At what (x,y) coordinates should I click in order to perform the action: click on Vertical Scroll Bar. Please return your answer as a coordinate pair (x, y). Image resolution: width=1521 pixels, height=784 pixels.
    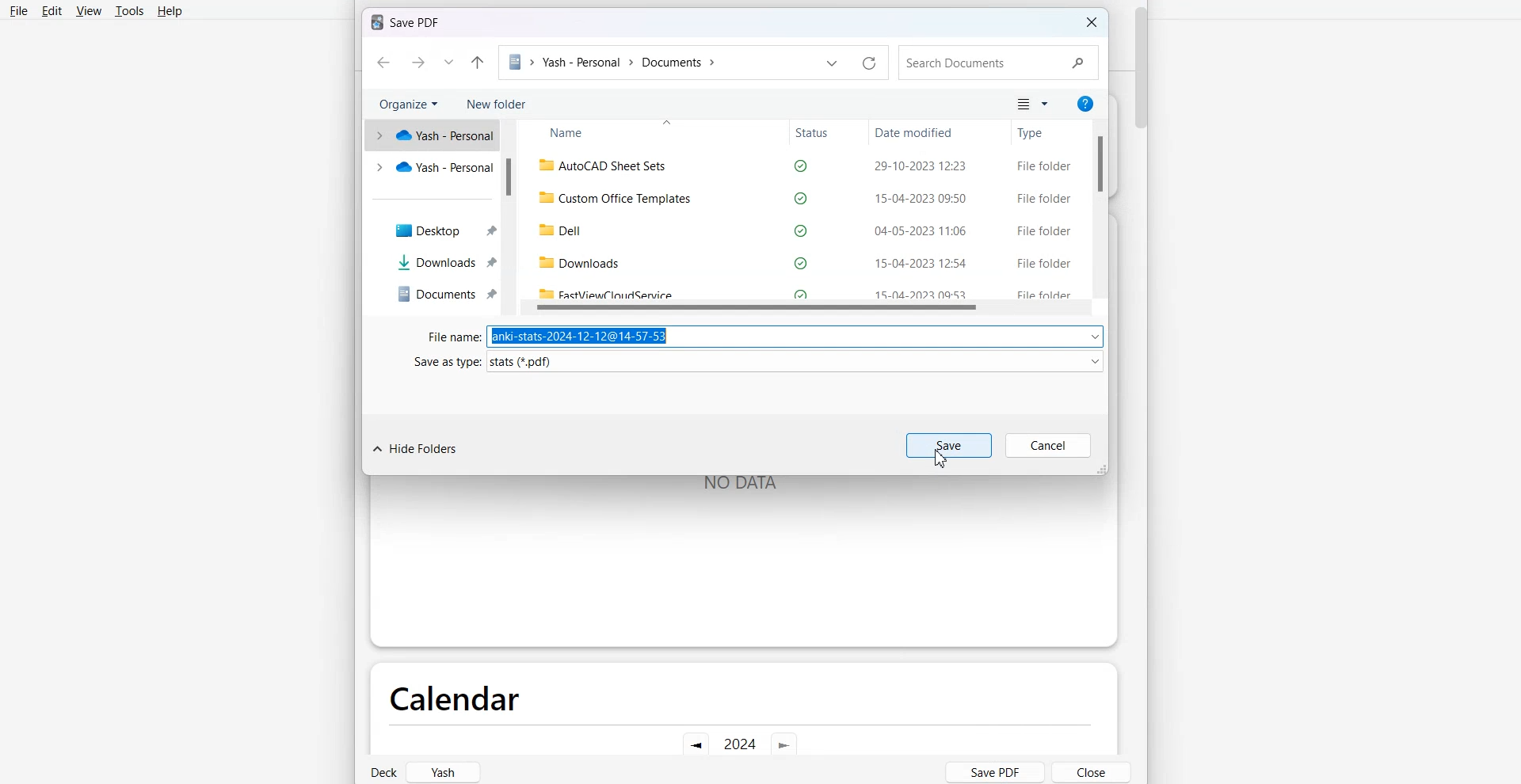
    Looking at the image, I should click on (511, 216).